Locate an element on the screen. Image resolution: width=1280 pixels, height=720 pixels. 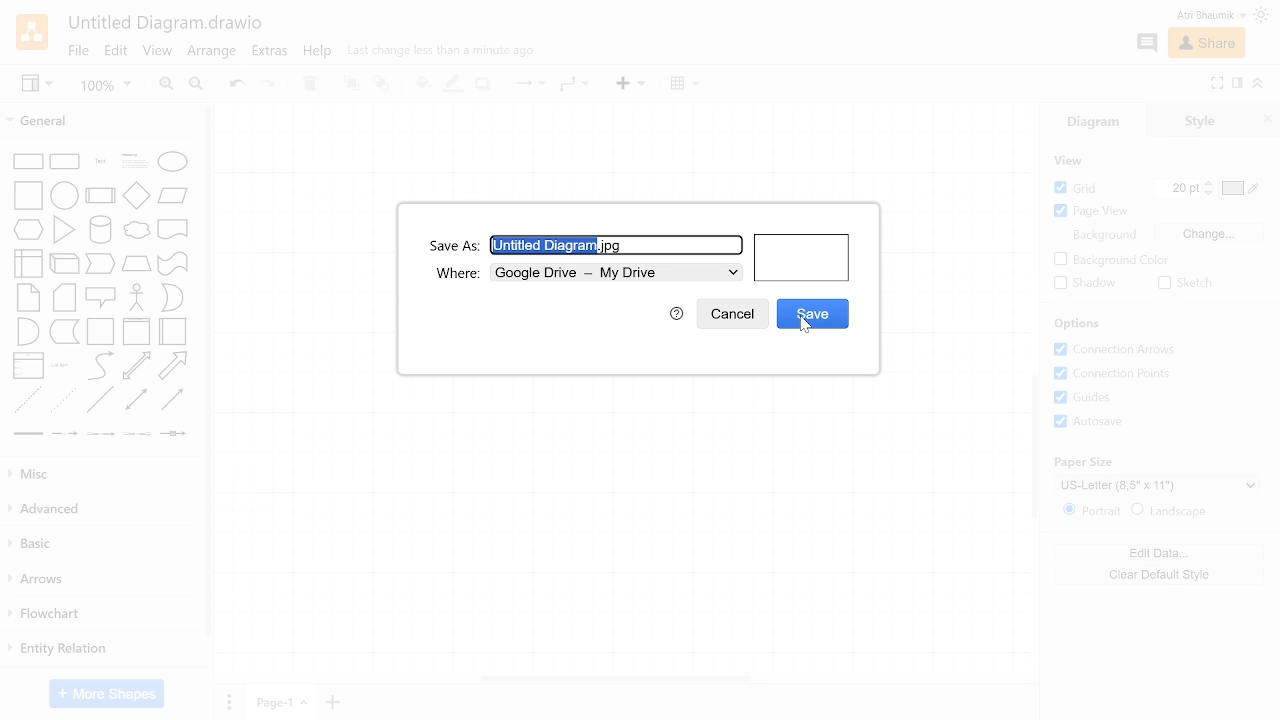
Profile is located at coordinates (1194, 16).